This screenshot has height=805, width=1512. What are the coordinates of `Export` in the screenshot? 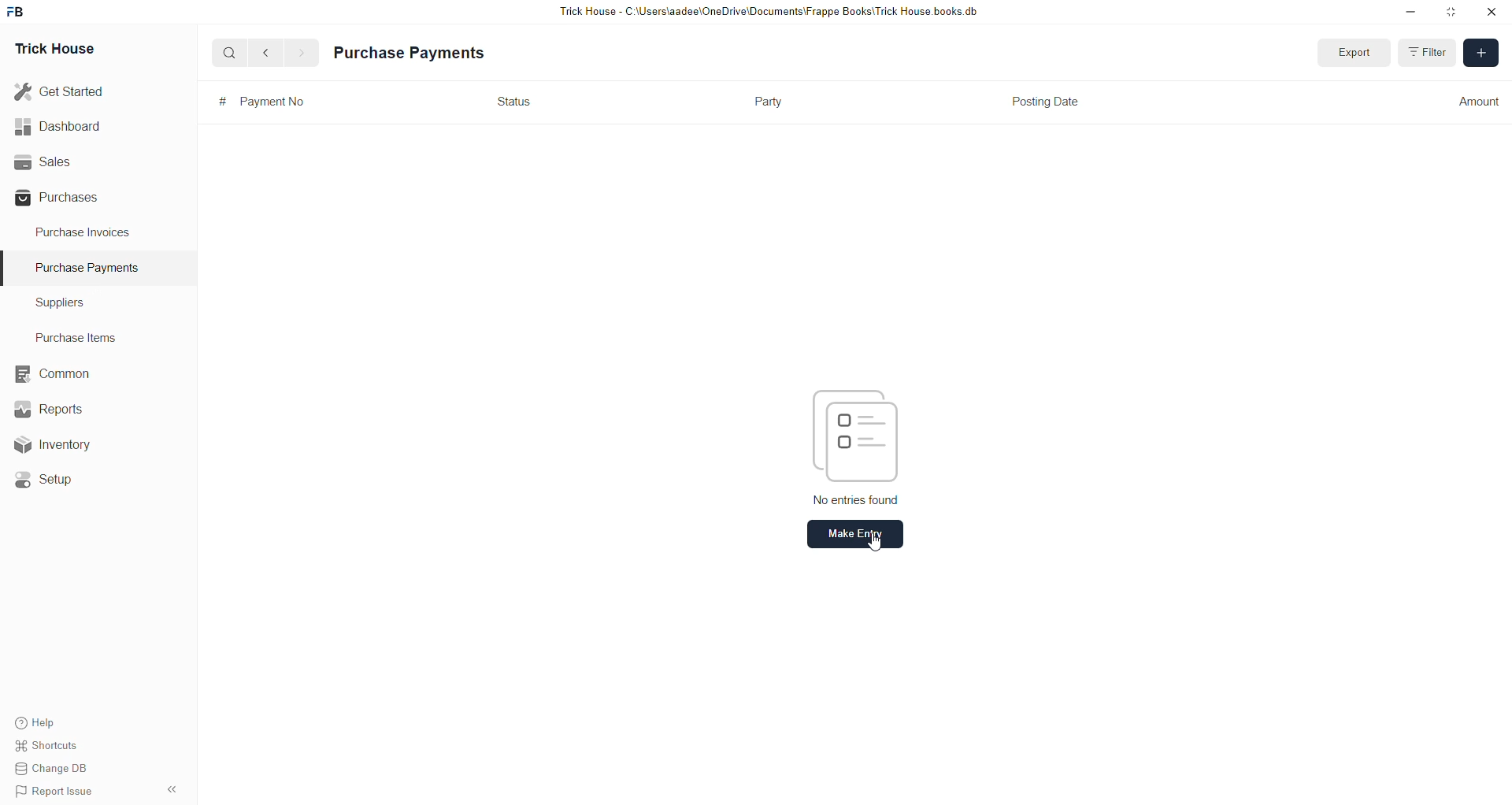 It's located at (1359, 53).